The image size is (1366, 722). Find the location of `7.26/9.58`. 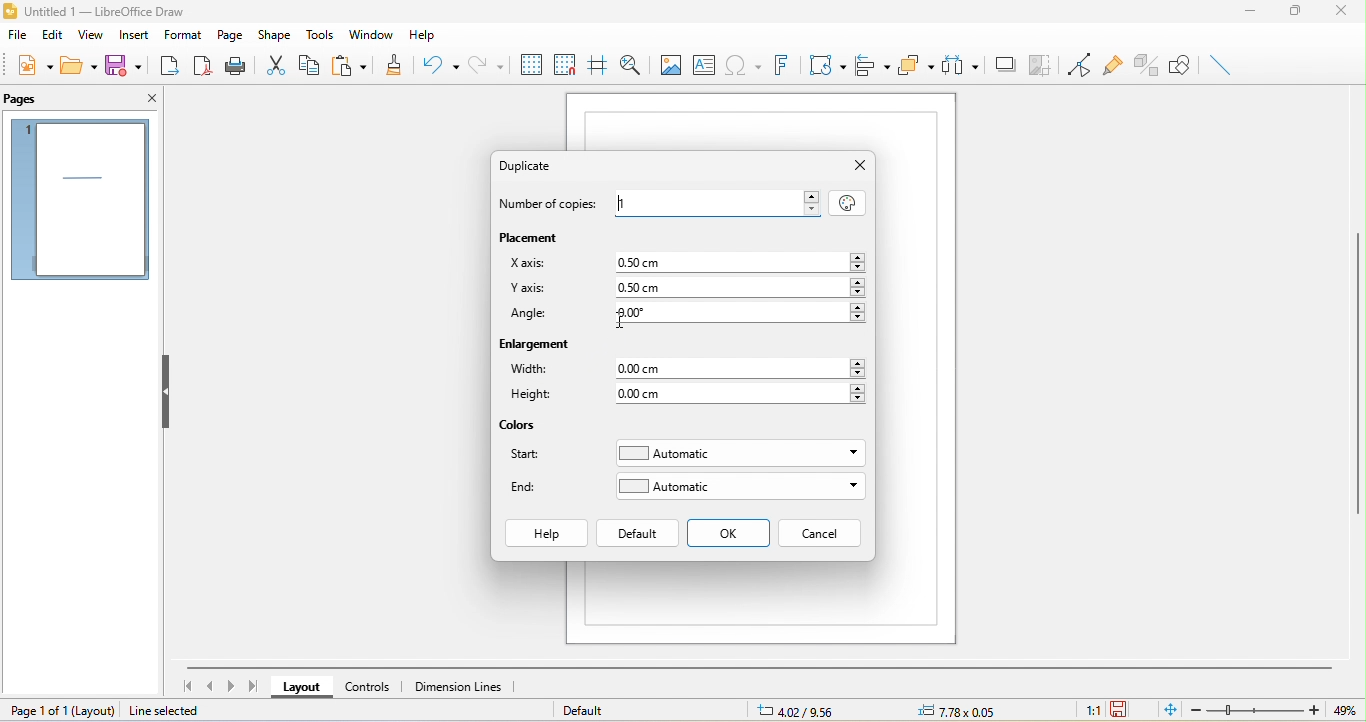

7.26/9.58 is located at coordinates (808, 711).